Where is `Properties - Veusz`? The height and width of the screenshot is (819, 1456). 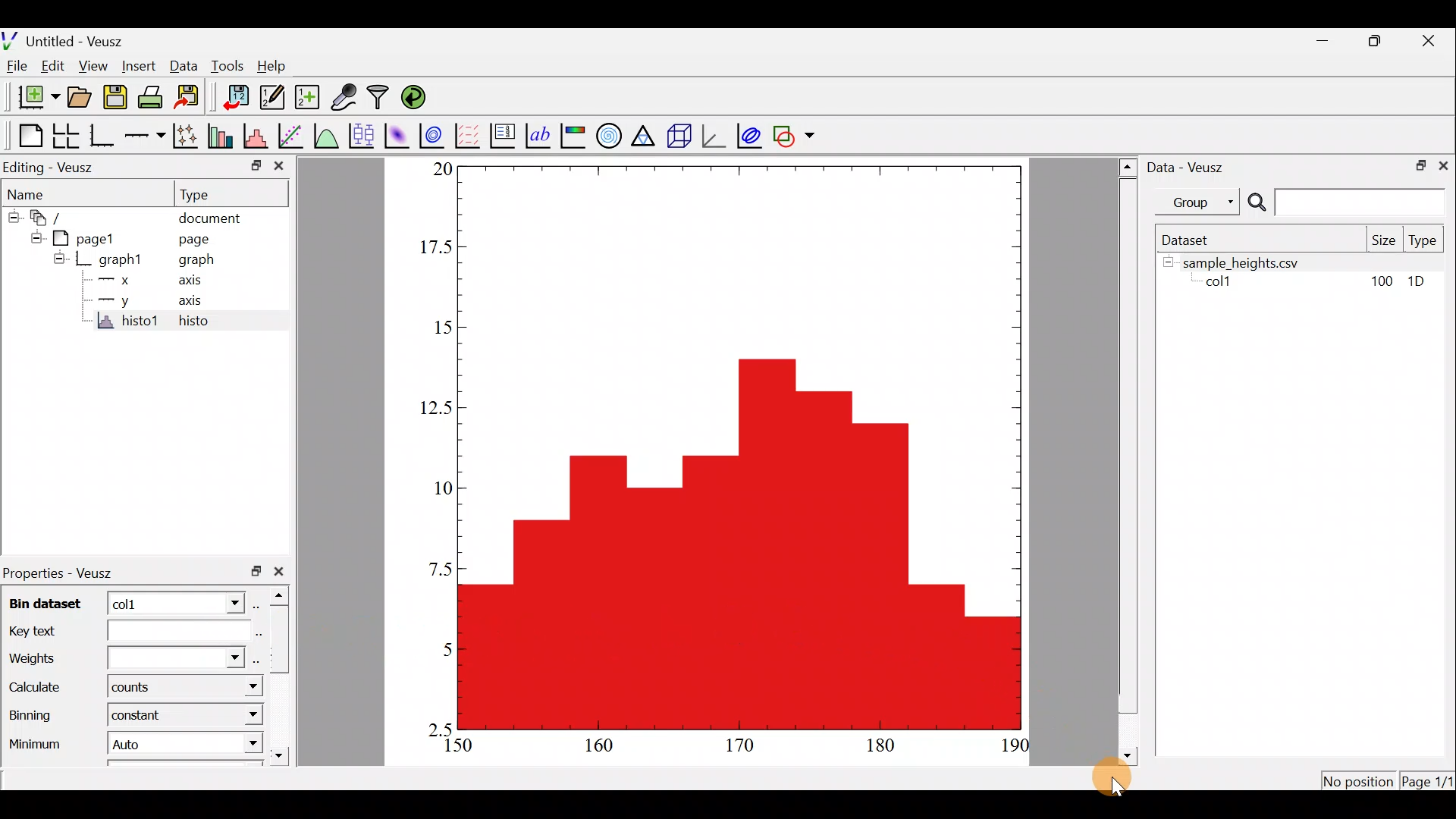
Properties - Veusz is located at coordinates (67, 571).